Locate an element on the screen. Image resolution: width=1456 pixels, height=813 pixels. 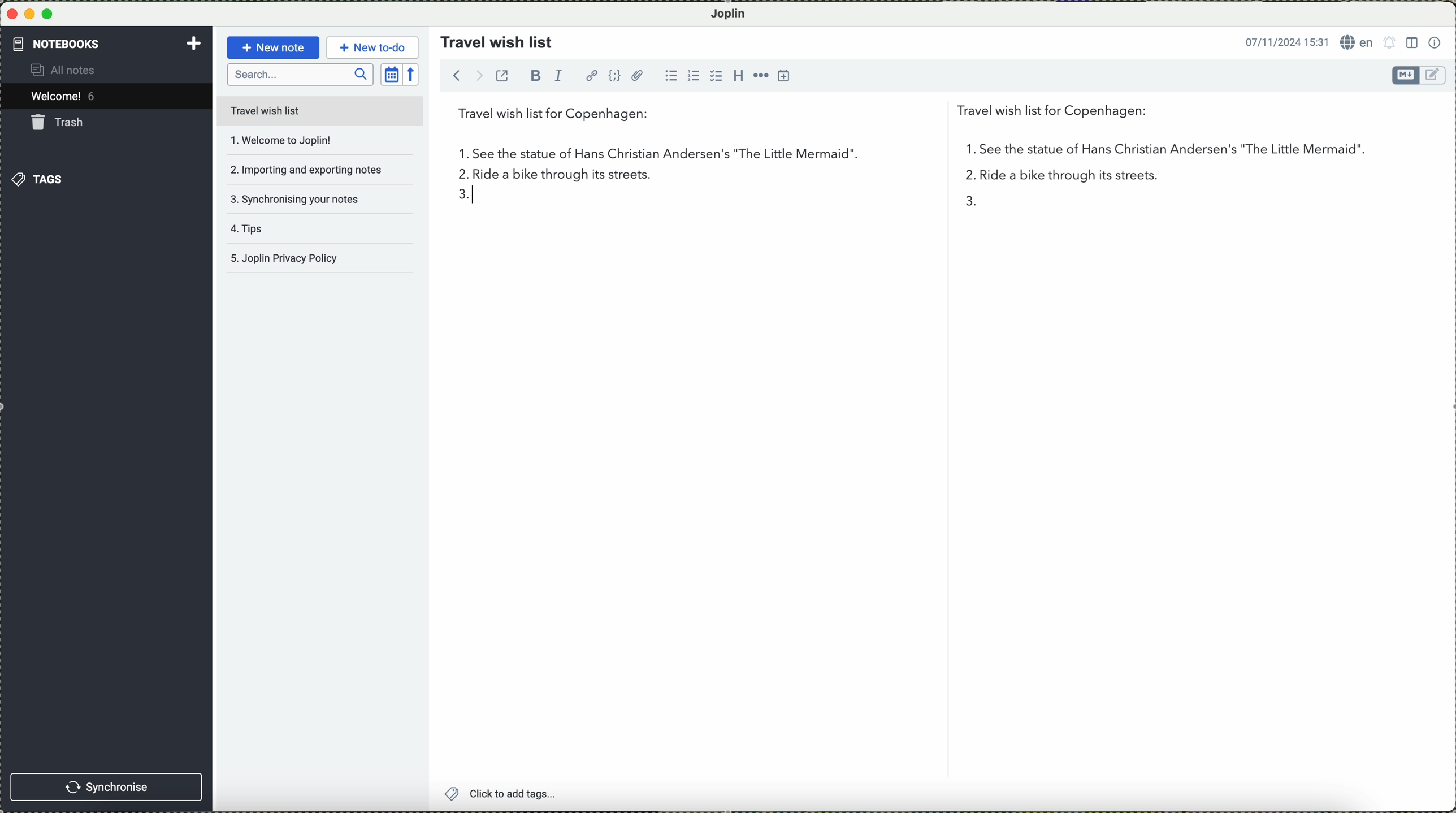
reverse sort order is located at coordinates (414, 73).